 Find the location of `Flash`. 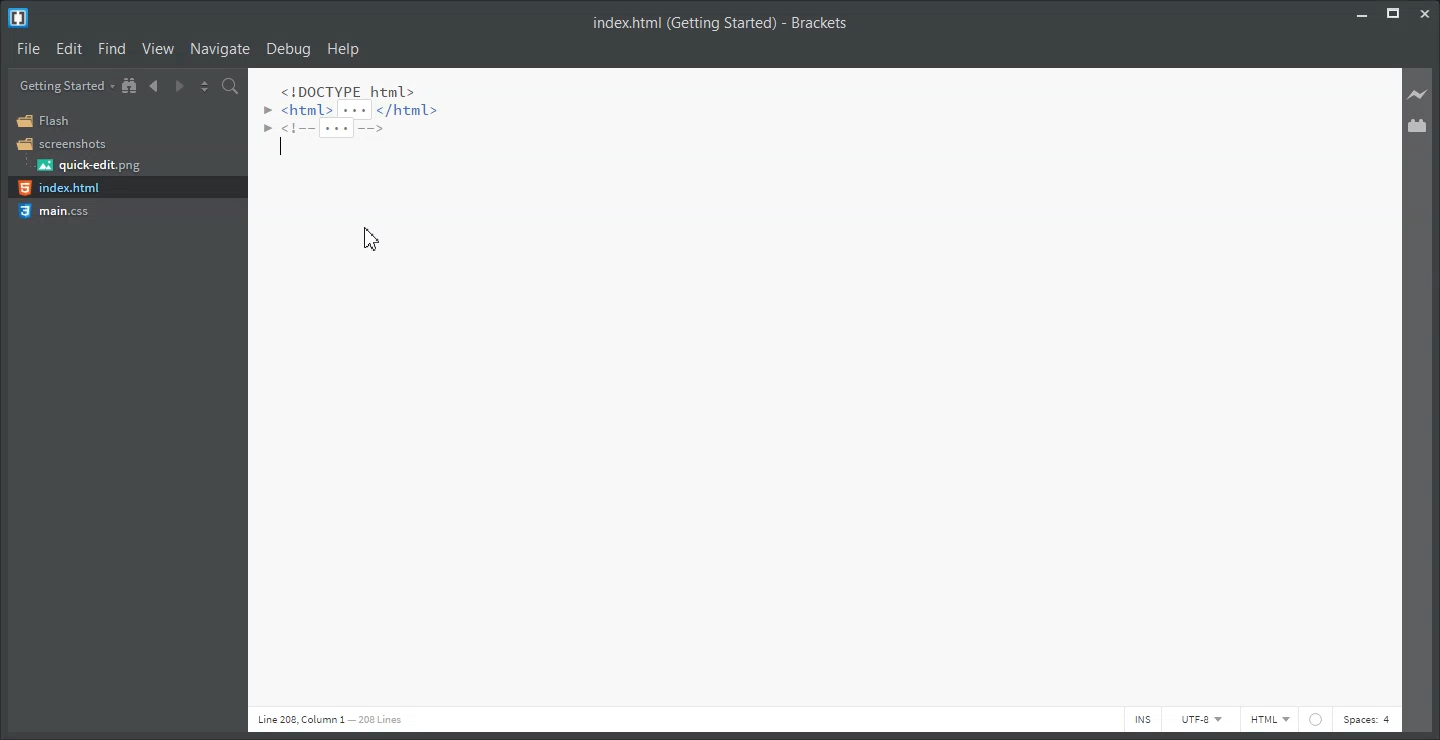

Flash is located at coordinates (45, 120).